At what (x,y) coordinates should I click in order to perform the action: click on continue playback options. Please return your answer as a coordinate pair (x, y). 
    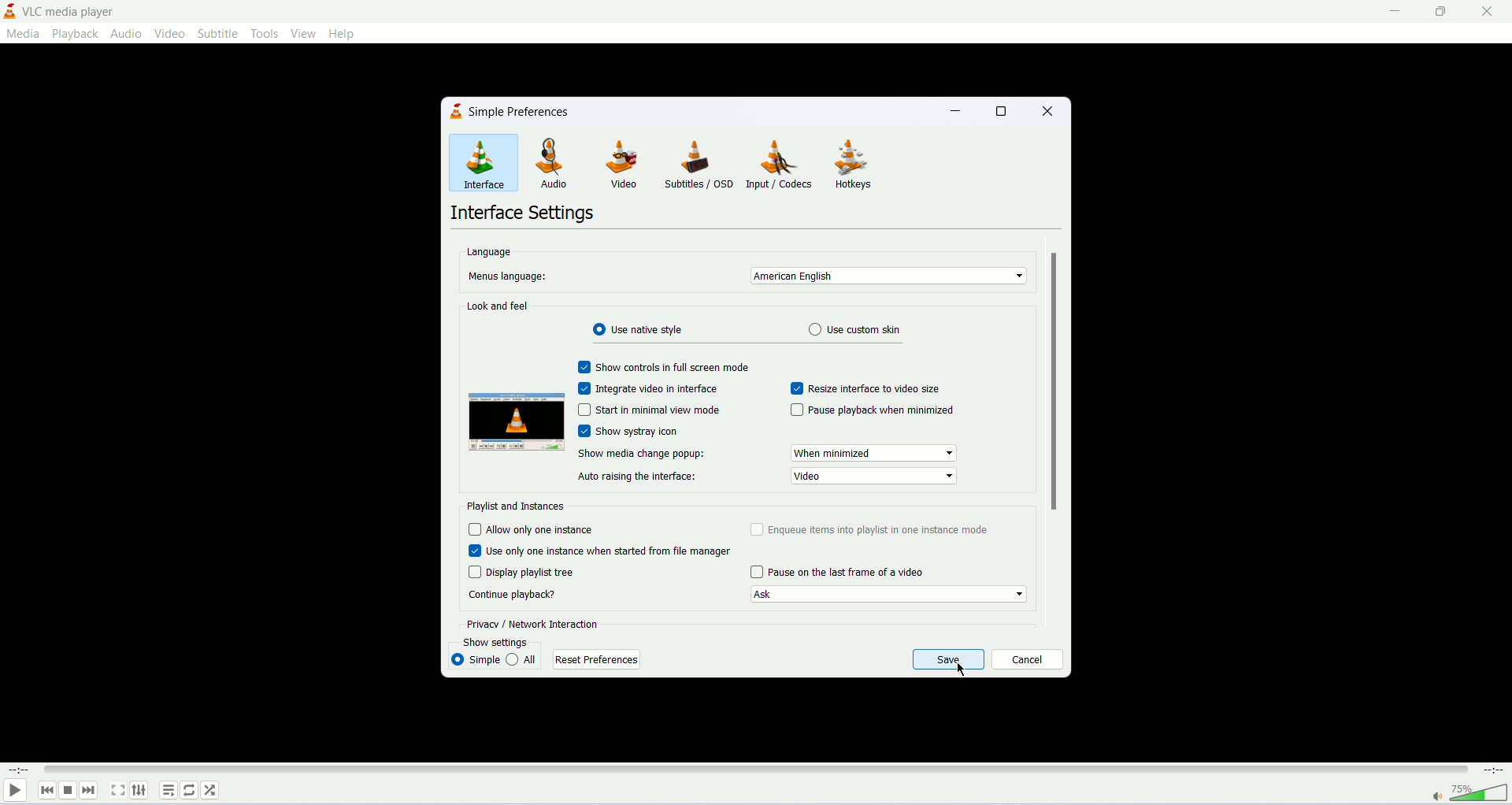
    Looking at the image, I should click on (888, 595).